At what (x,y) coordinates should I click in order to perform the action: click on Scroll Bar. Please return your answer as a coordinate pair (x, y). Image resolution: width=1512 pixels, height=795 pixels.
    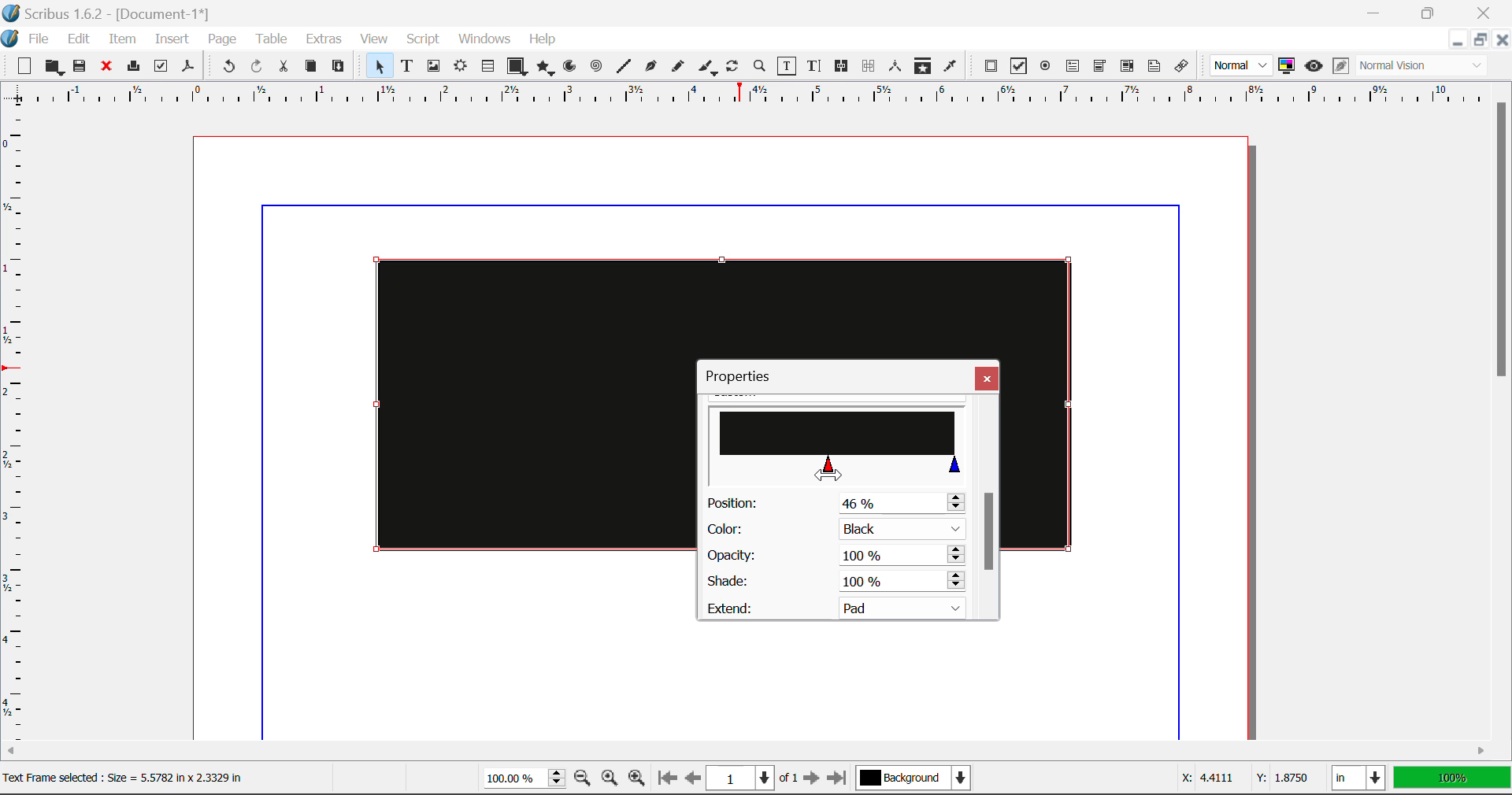
    Looking at the image, I should click on (1503, 411).